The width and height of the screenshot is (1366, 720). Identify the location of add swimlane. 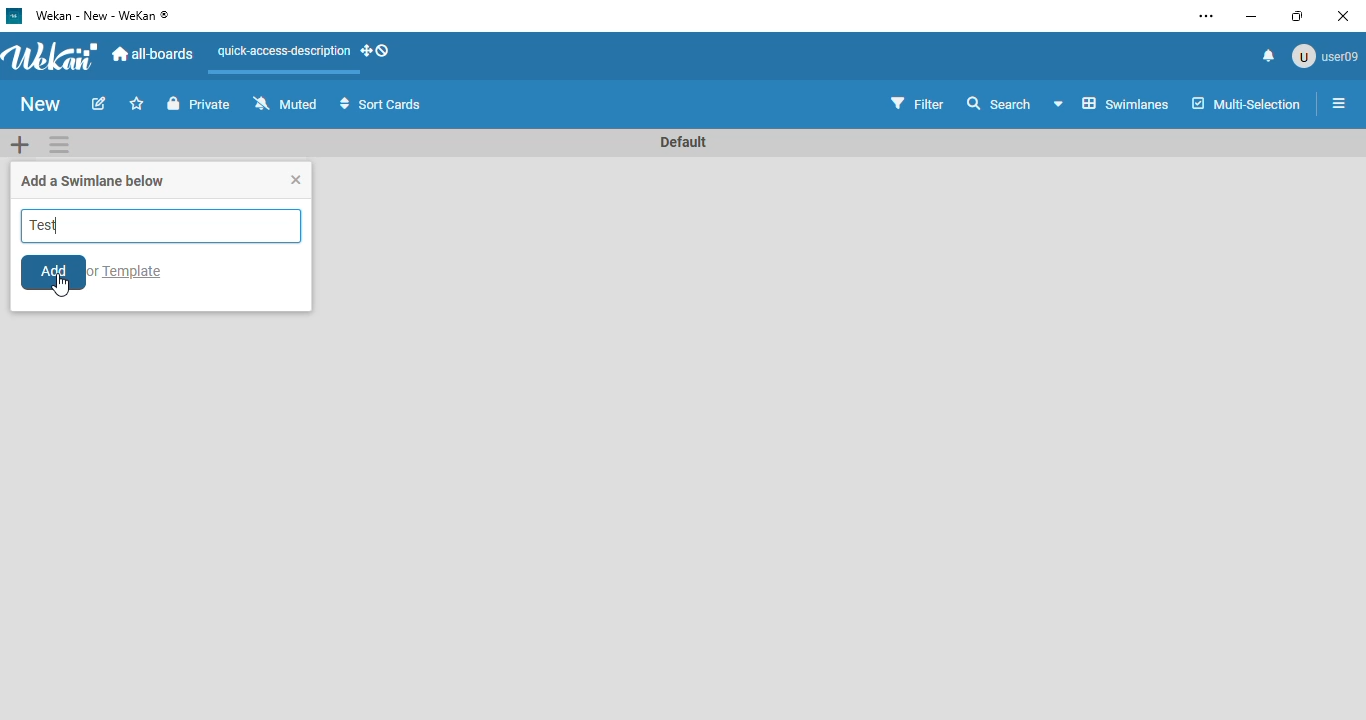
(20, 143).